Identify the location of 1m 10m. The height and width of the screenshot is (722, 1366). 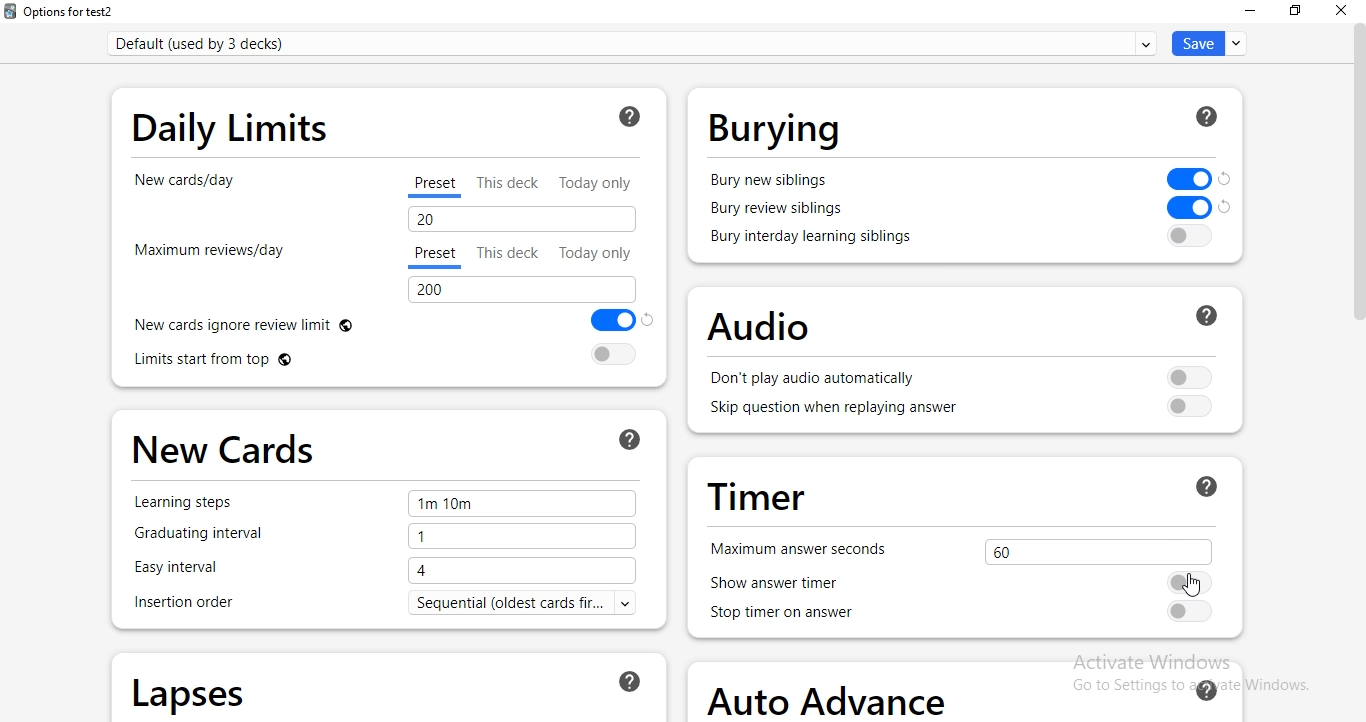
(524, 506).